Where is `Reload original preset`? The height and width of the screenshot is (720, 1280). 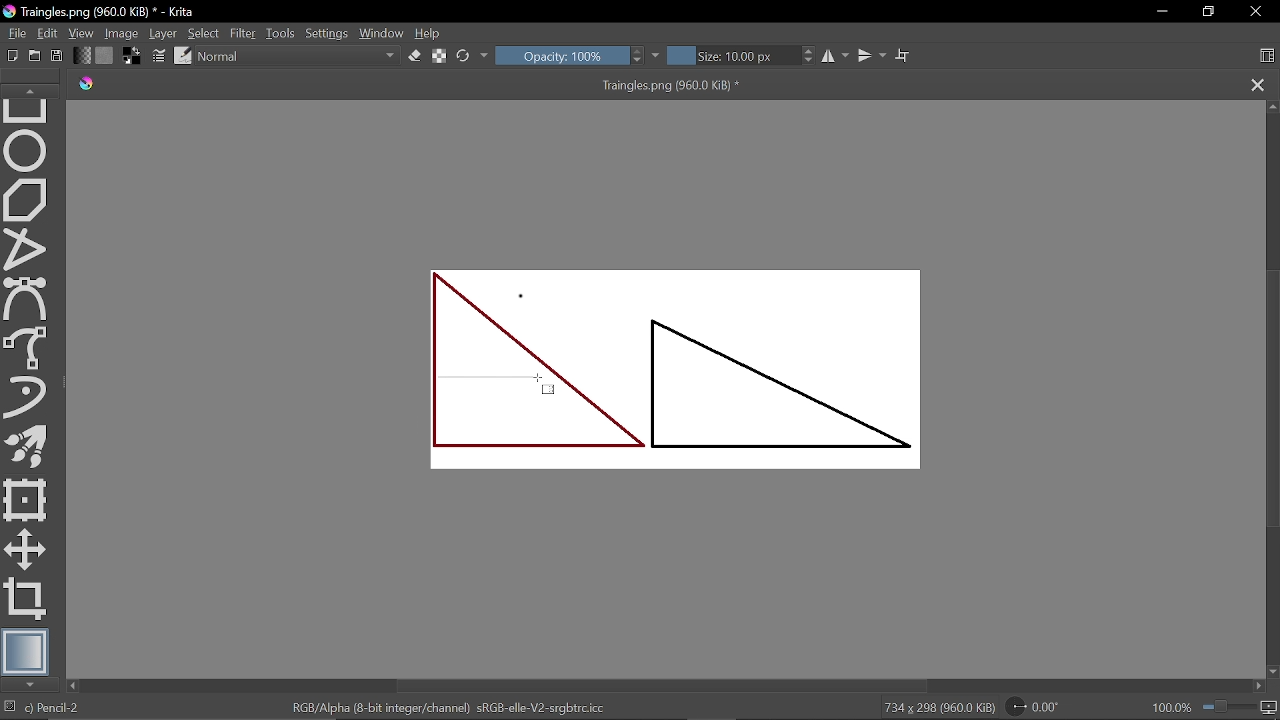
Reload original preset is located at coordinates (464, 57).